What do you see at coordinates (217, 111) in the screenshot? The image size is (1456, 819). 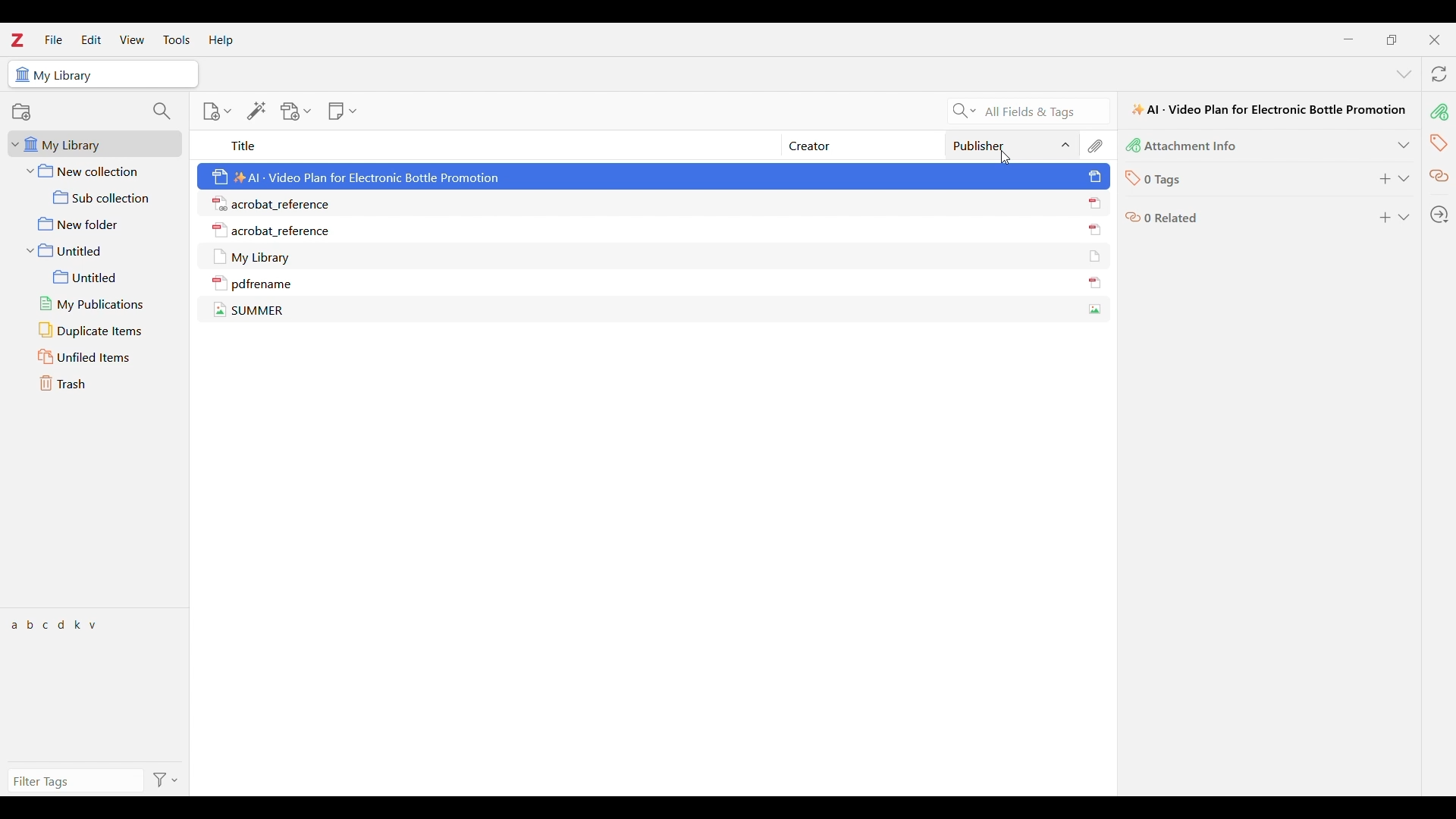 I see `New item options` at bounding box center [217, 111].